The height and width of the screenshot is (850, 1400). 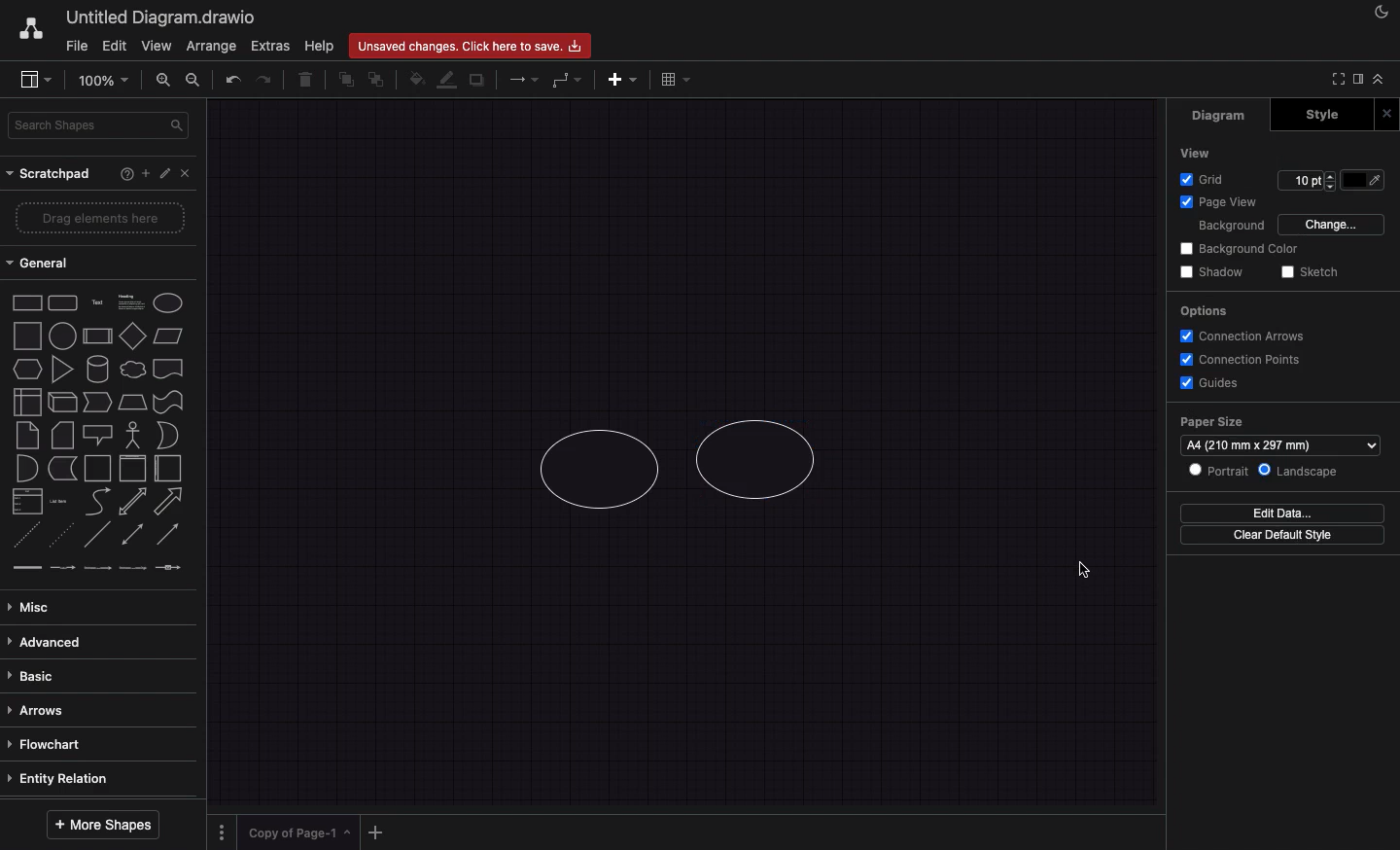 What do you see at coordinates (674, 79) in the screenshot?
I see `Table` at bounding box center [674, 79].